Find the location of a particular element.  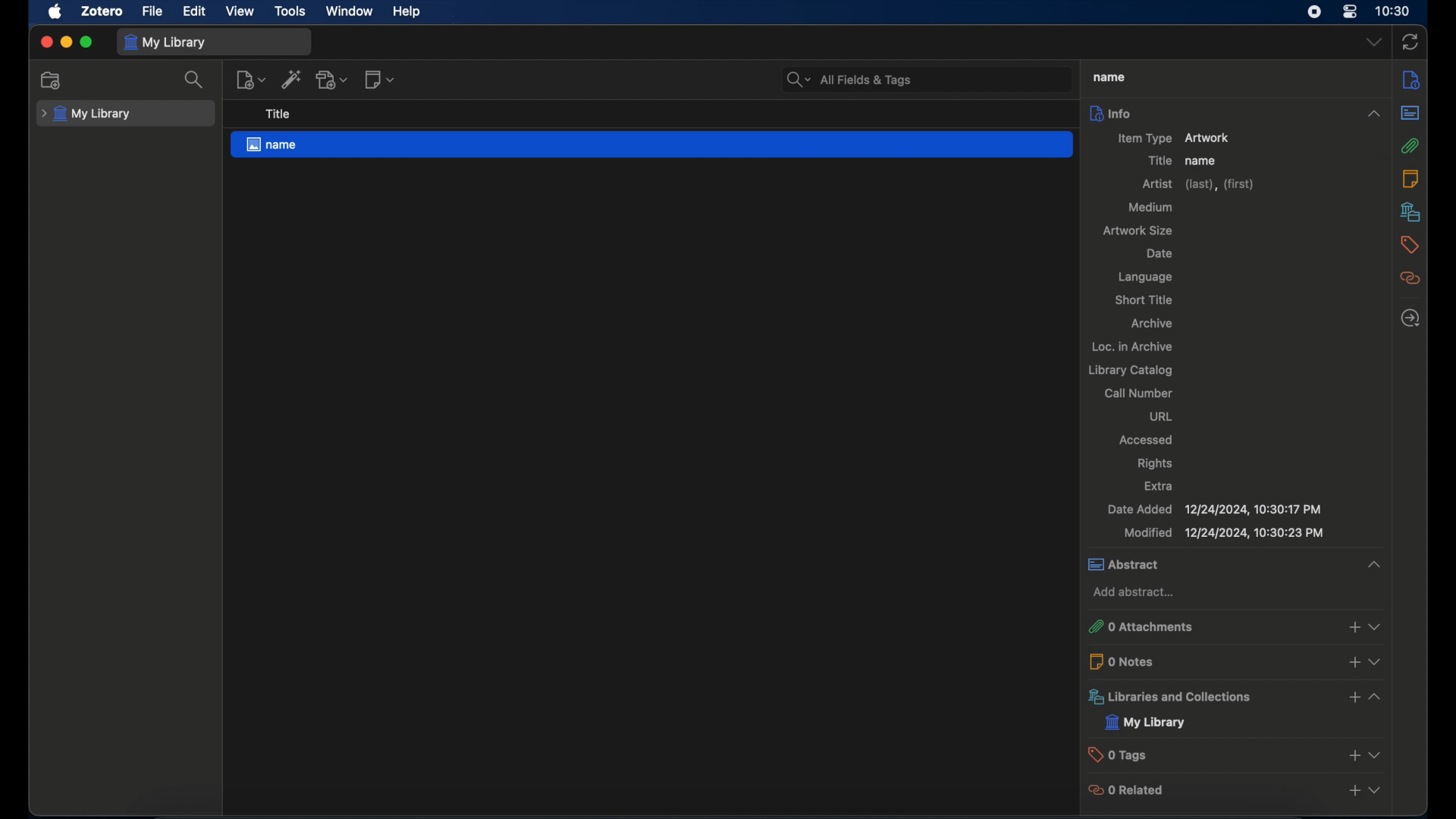

name is located at coordinates (651, 145).